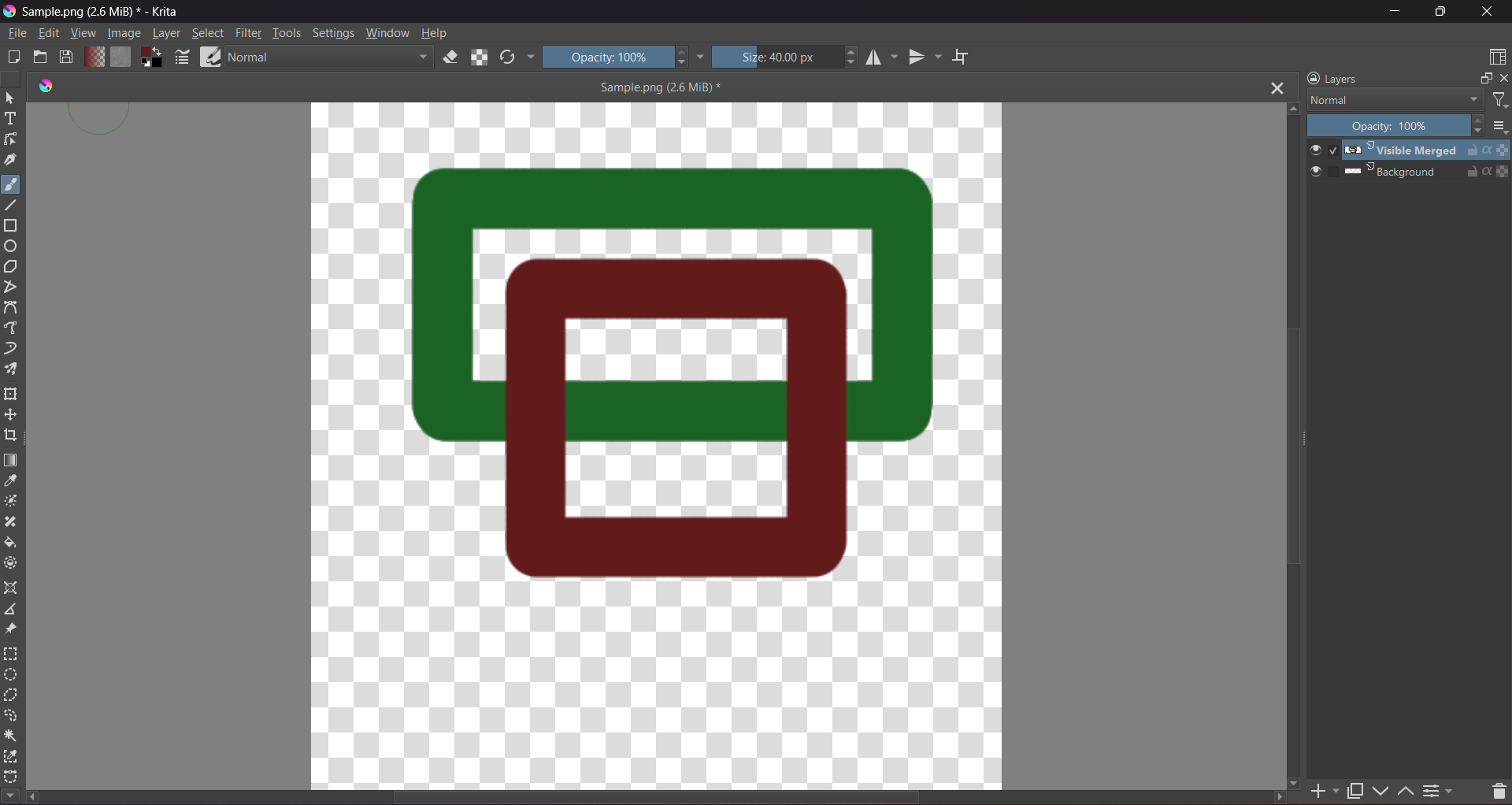 The image size is (1512, 805). What do you see at coordinates (41, 57) in the screenshot?
I see `Open` at bounding box center [41, 57].